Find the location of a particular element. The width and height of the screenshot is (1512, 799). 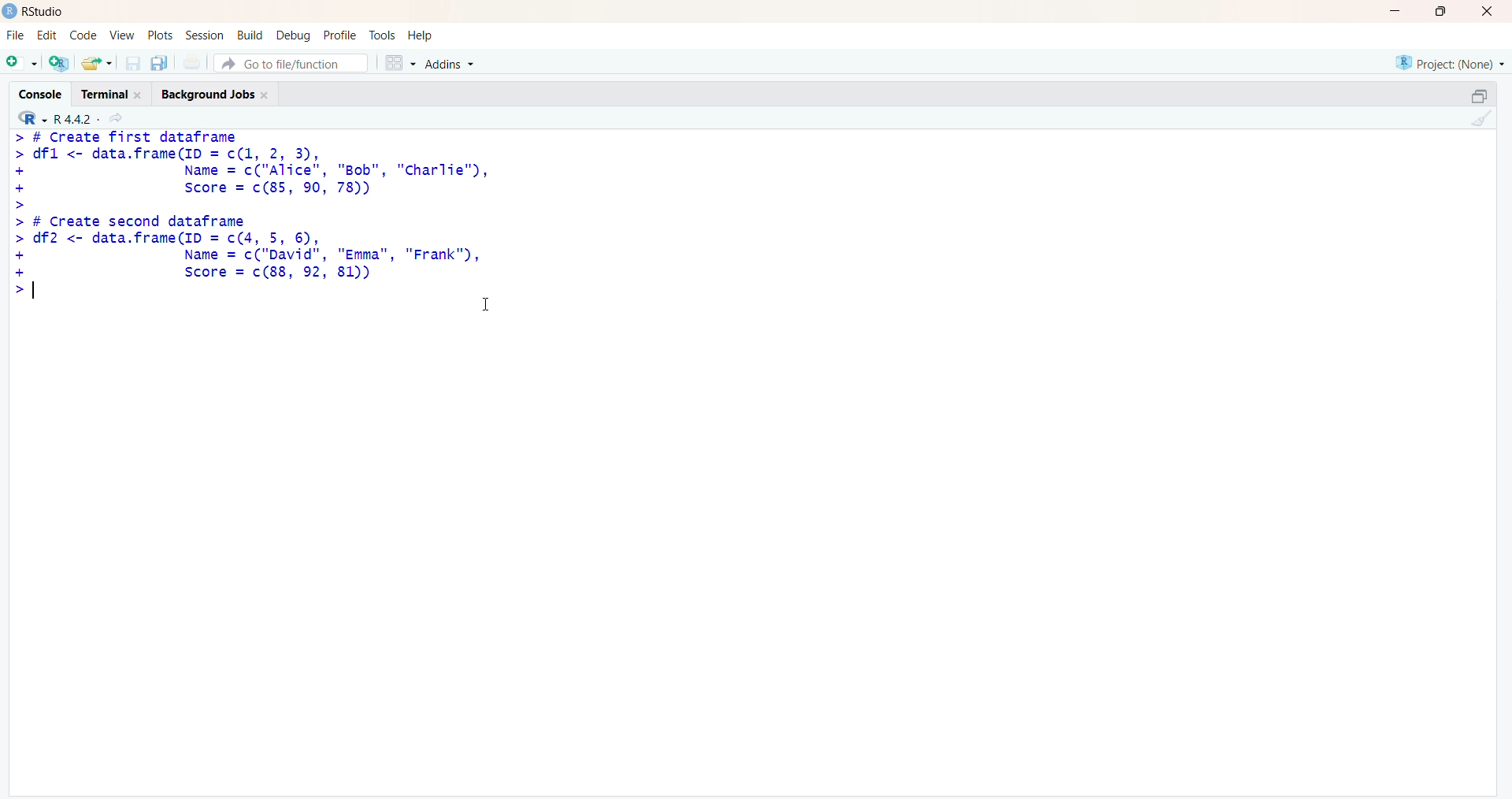

Plots is located at coordinates (159, 35).